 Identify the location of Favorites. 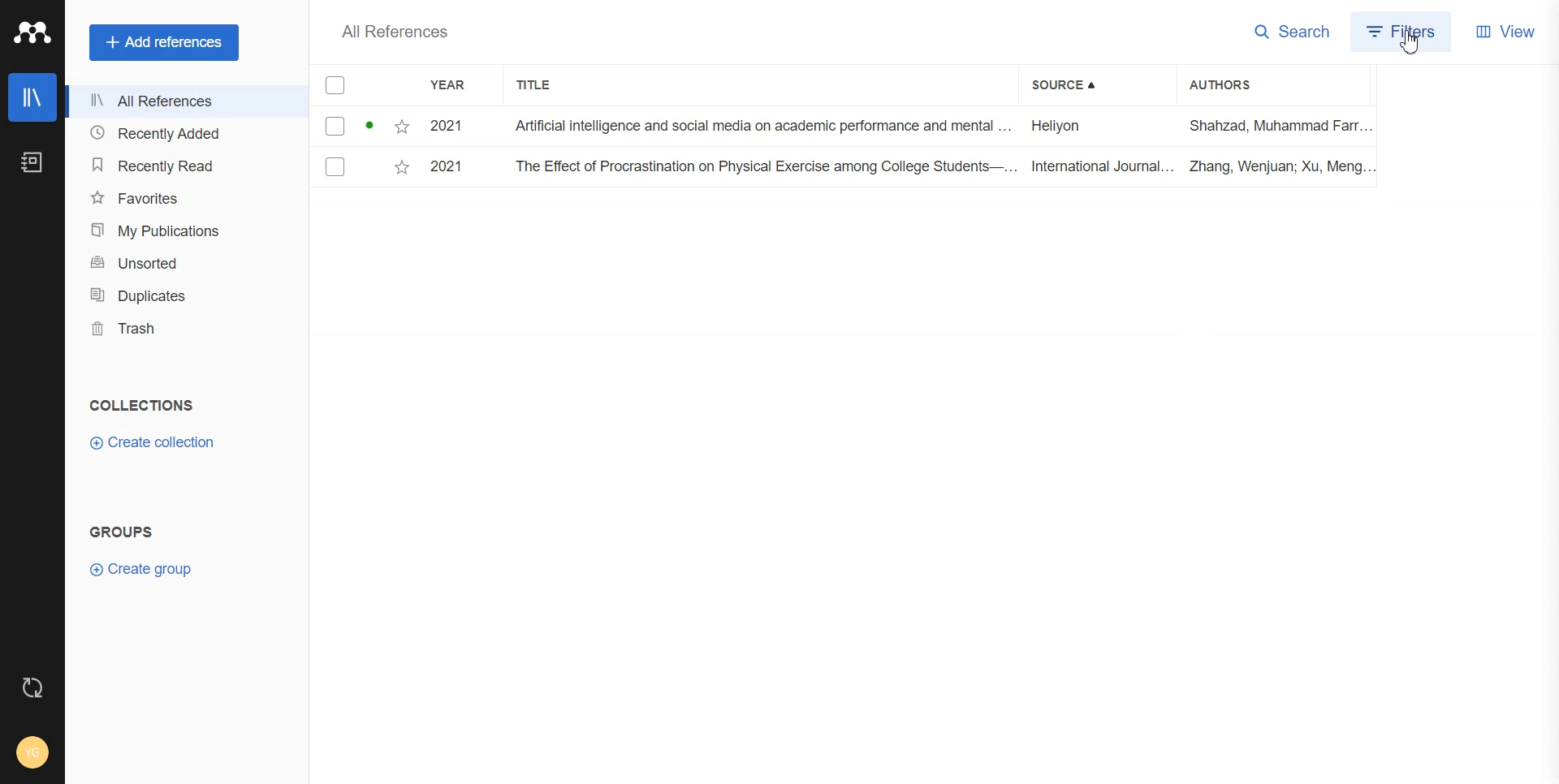
(176, 200).